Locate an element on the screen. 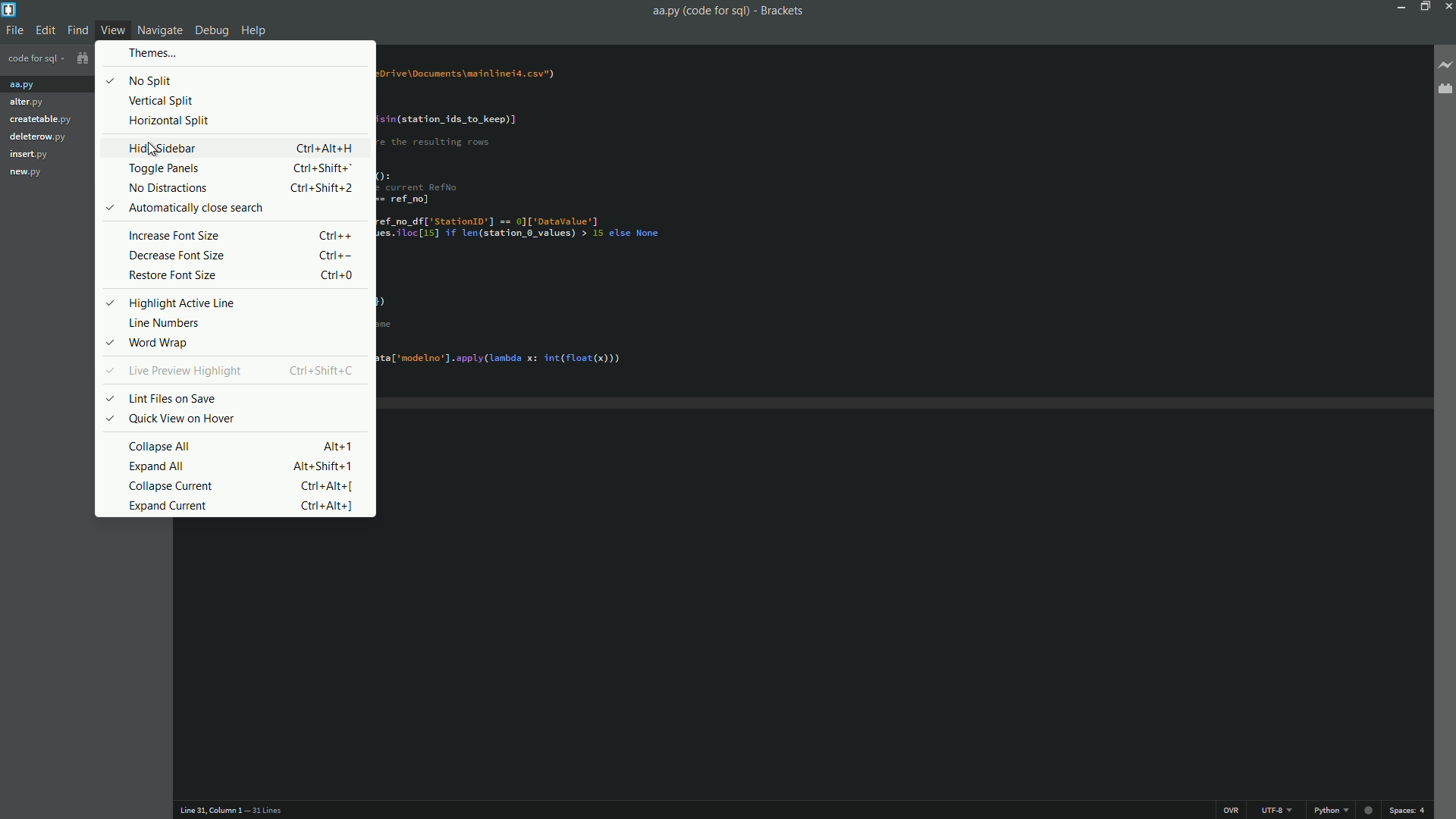 This screenshot has width=1456, height=819. line numbers button is located at coordinates (165, 324).